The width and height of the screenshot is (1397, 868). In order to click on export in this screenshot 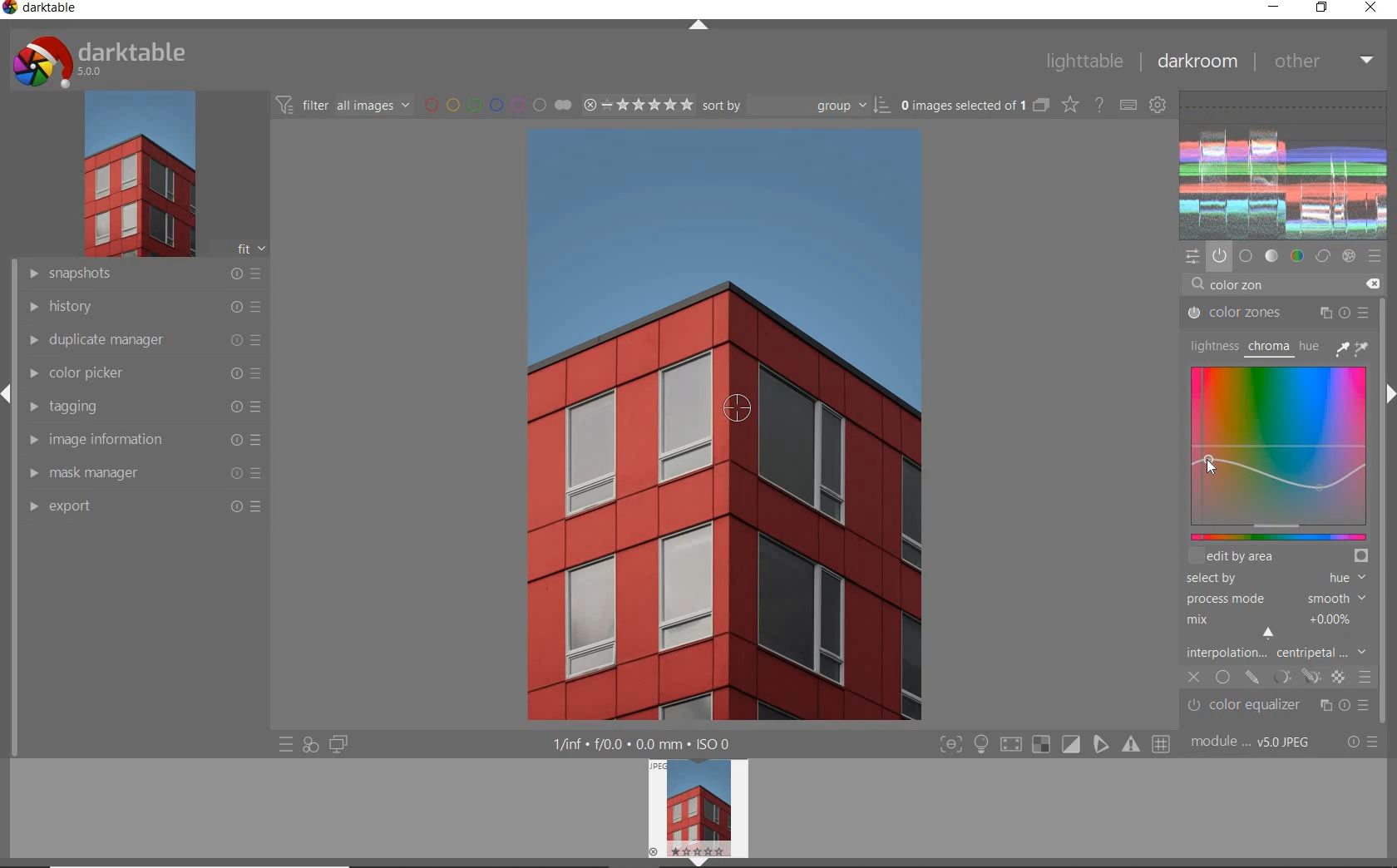, I will do `click(146, 507)`.